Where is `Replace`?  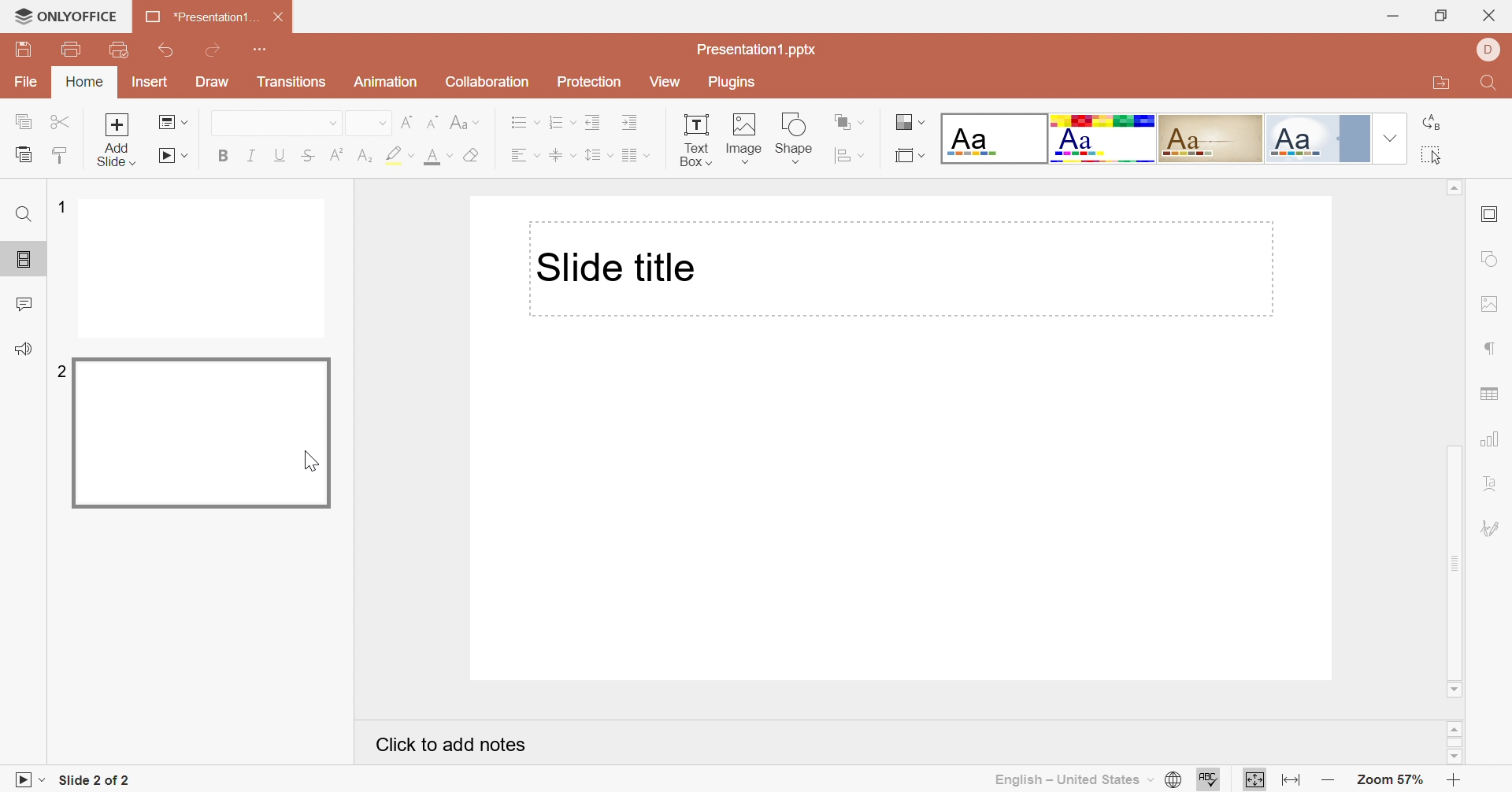 Replace is located at coordinates (1430, 122).